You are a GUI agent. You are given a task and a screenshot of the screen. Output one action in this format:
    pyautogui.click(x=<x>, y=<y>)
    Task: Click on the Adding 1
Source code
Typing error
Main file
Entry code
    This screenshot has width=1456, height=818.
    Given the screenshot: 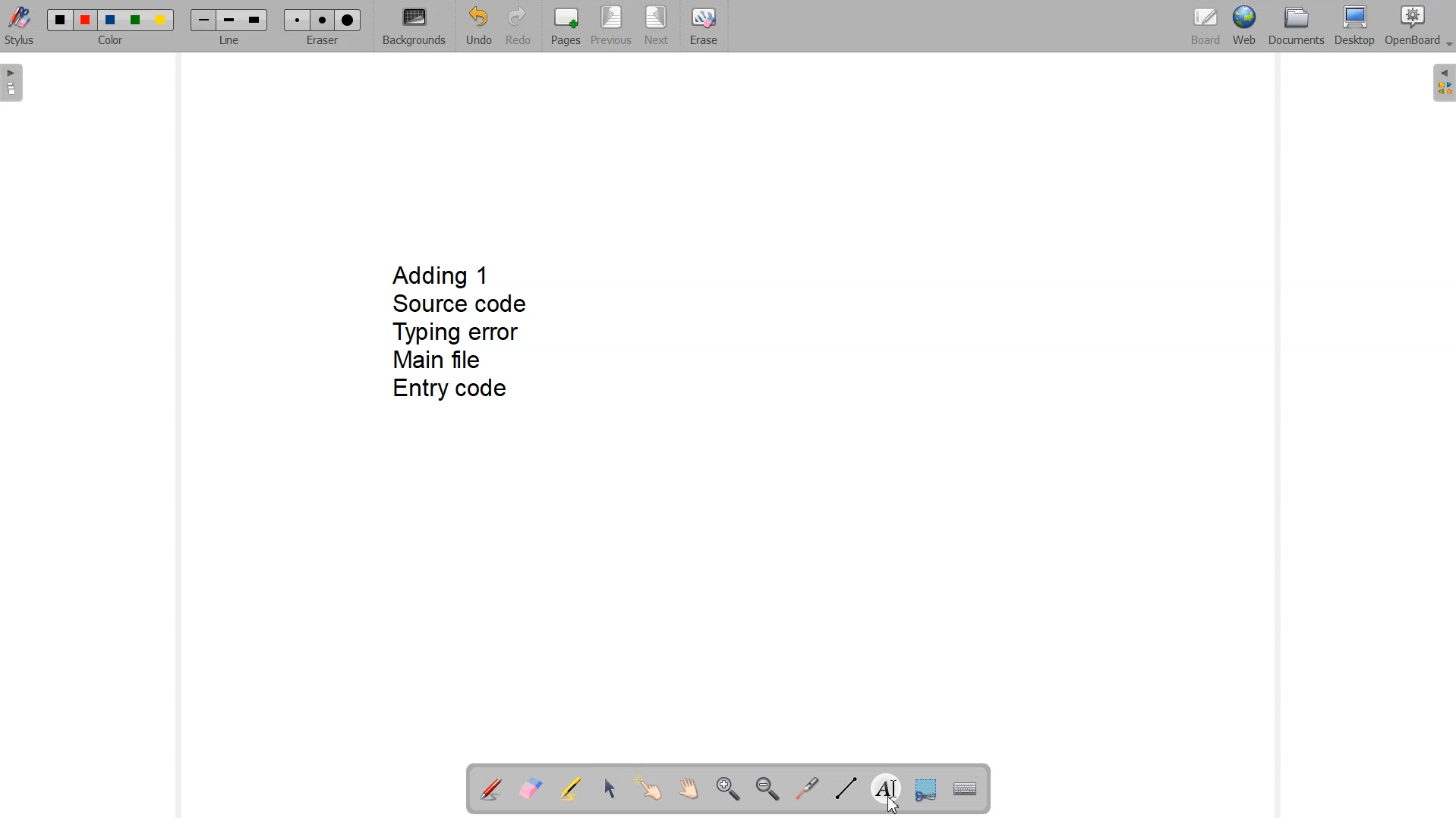 What is the action you would take?
    pyautogui.click(x=461, y=336)
    